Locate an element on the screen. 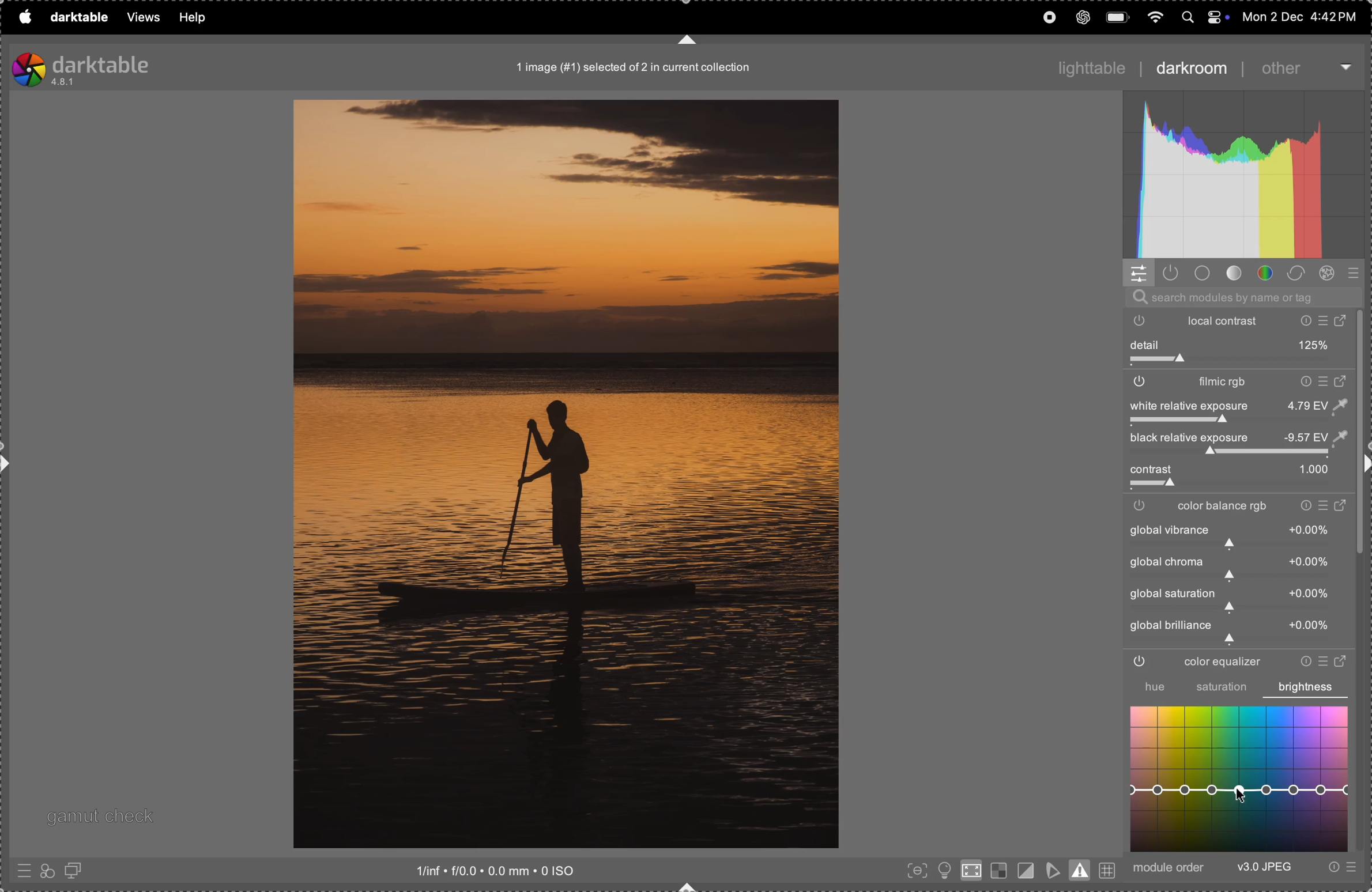 The width and height of the screenshot is (1372, 892). toggle iso is located at coordinates (970, 873).